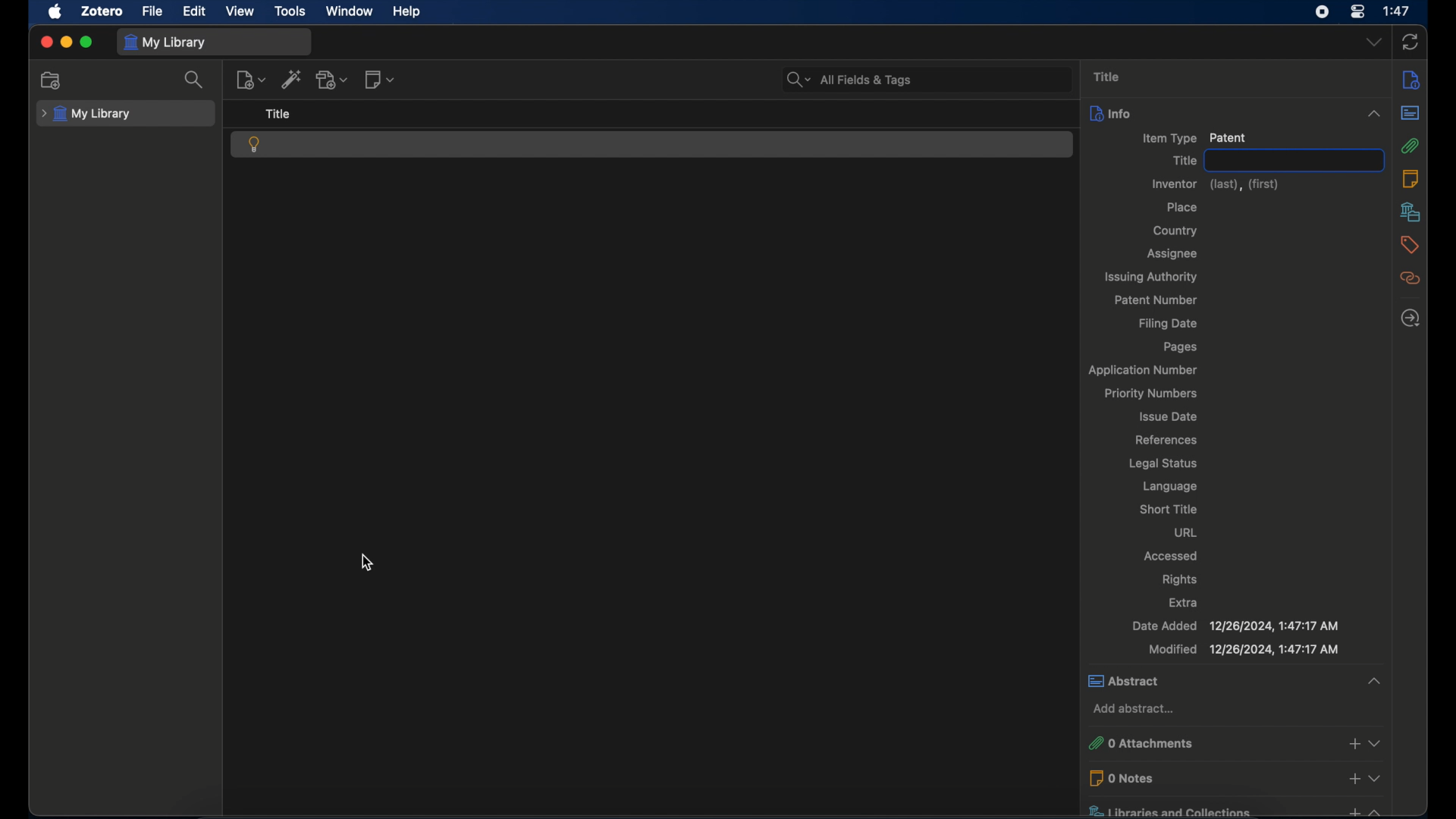 This screenshot has width=1456, height=819. Describe the element at coordinates (1170, 486) in the screenshot. I see `language` at that location.